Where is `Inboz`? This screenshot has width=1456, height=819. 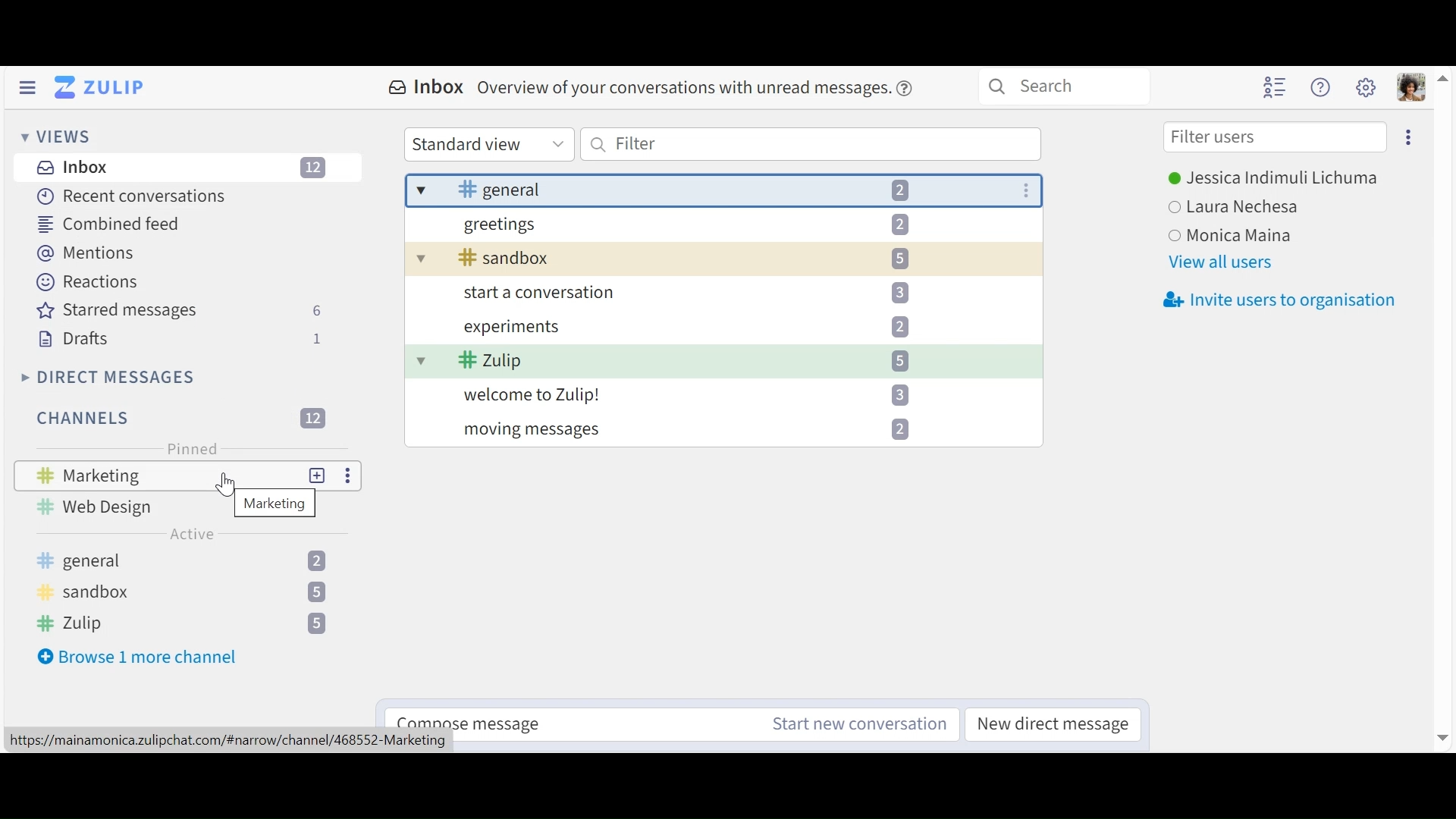 Inboz is located at coordinates (183, 169).